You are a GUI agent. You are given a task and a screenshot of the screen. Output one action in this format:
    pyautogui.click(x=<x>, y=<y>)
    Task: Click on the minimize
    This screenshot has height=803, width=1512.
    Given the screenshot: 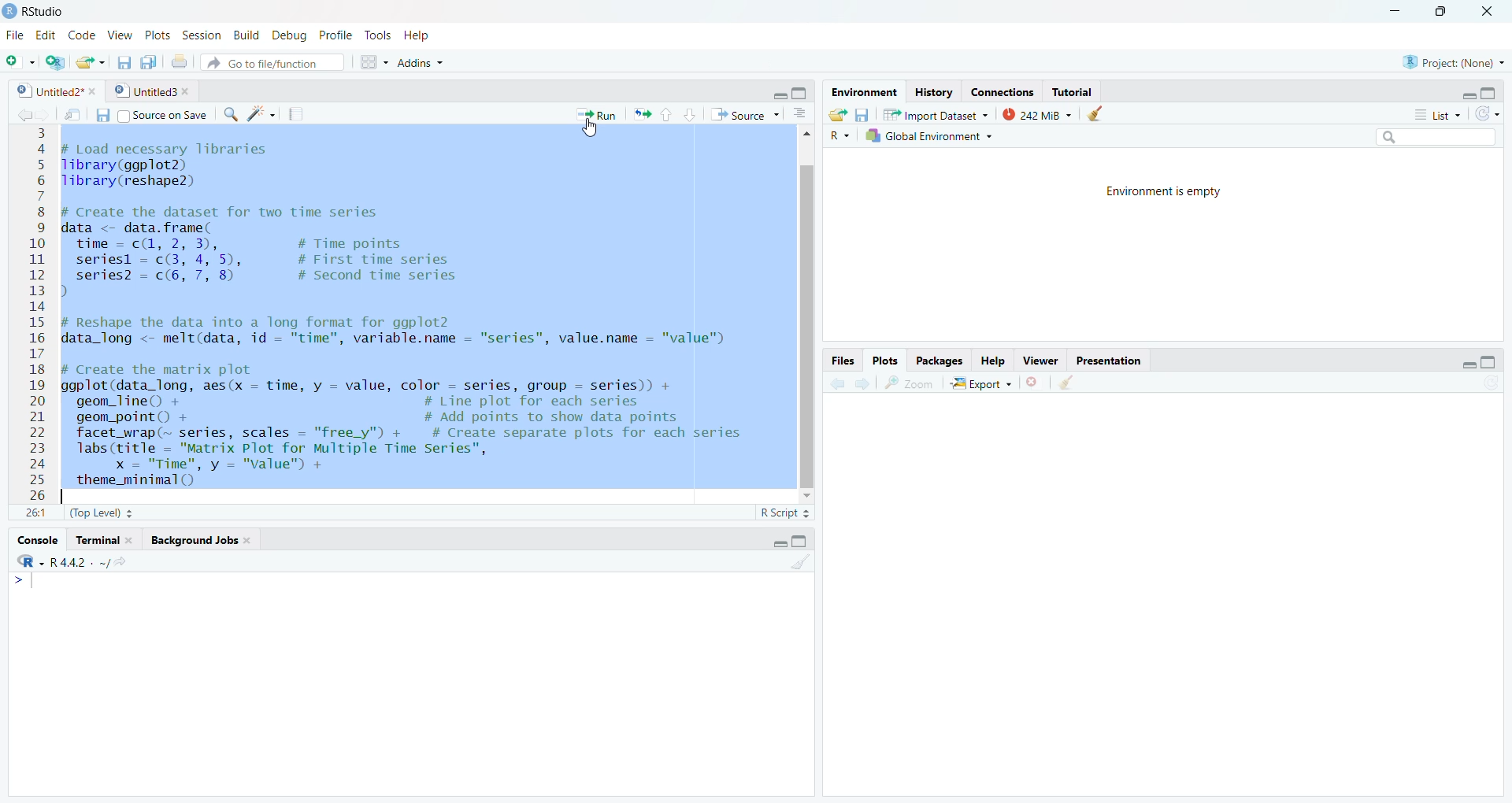 What is the action you would take?
    pyautogui.click(x=1468, y=94)
    